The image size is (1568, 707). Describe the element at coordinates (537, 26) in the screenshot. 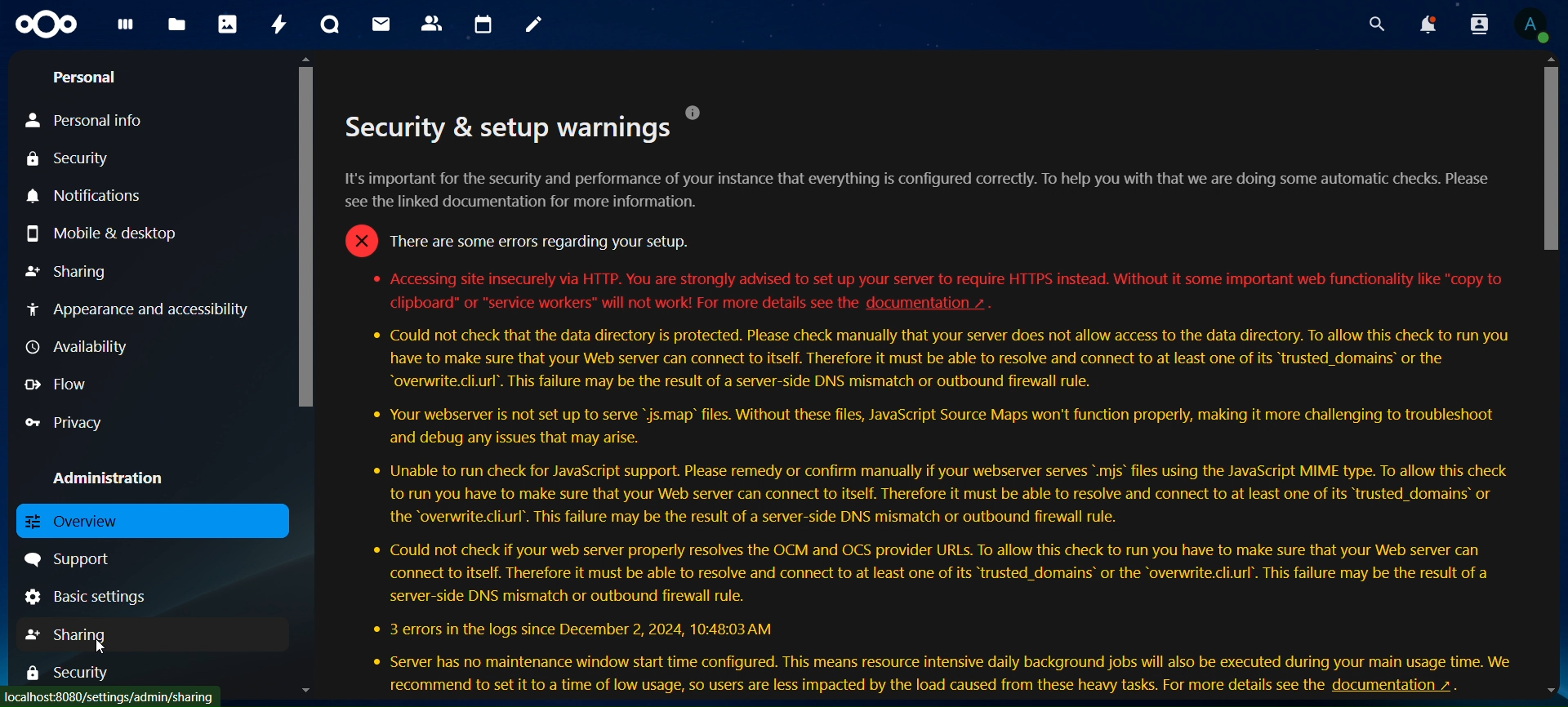

I see `notes` at that location.